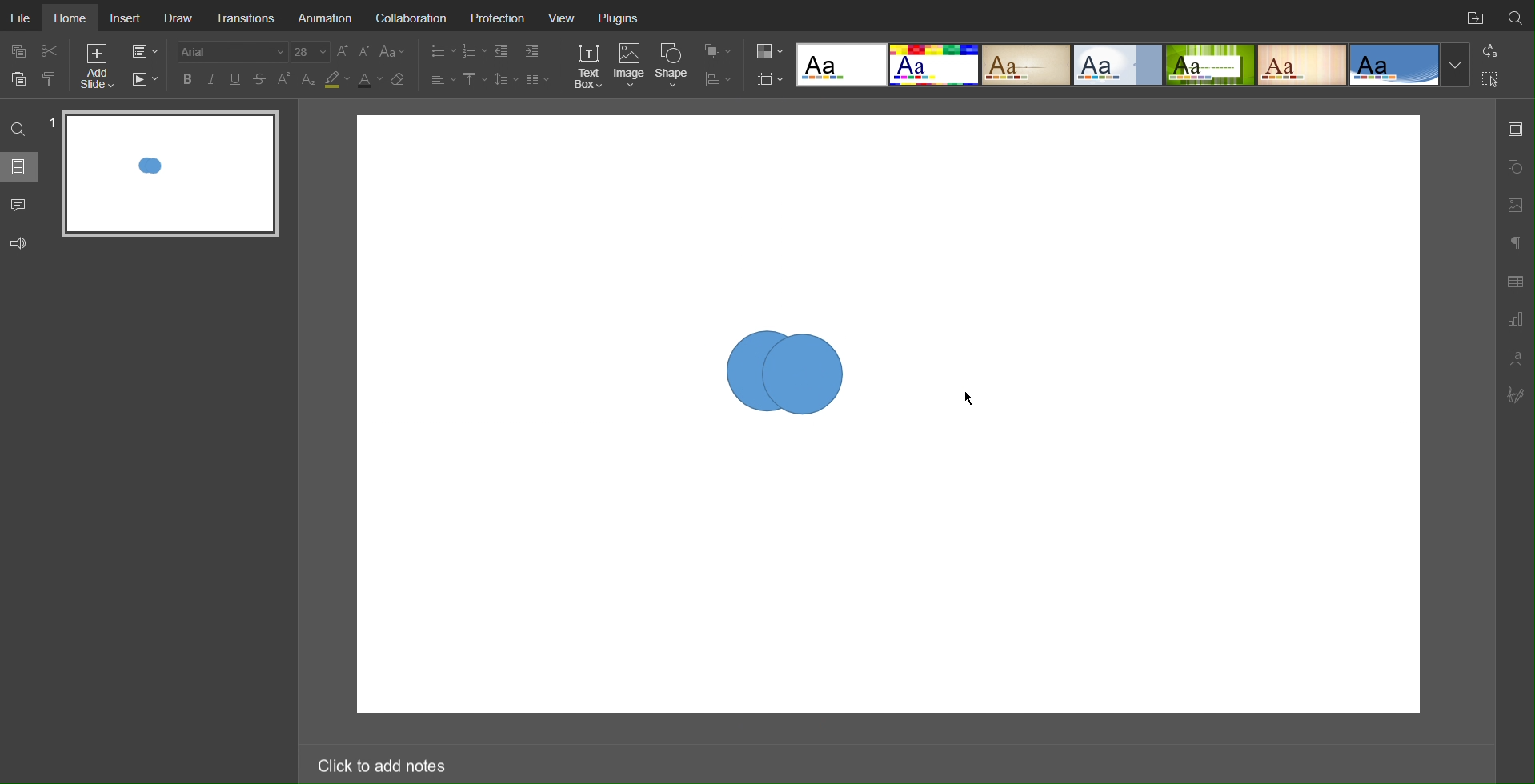  What do you see at coordinates (587, 66) in the screenshot?
I see `Text Box` at bounding box center [587, 66].